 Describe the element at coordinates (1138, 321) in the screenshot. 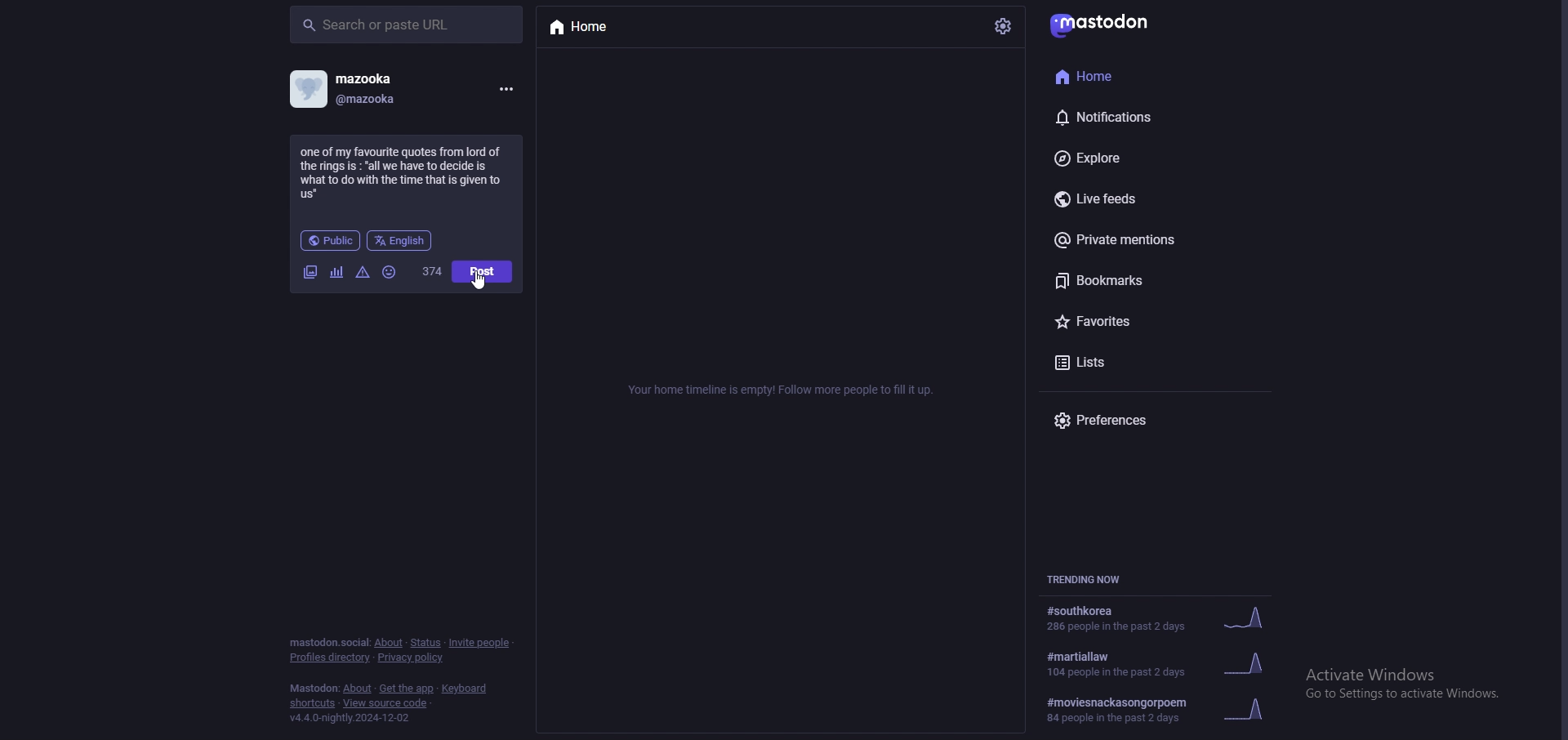

I see `favourites` at that location.